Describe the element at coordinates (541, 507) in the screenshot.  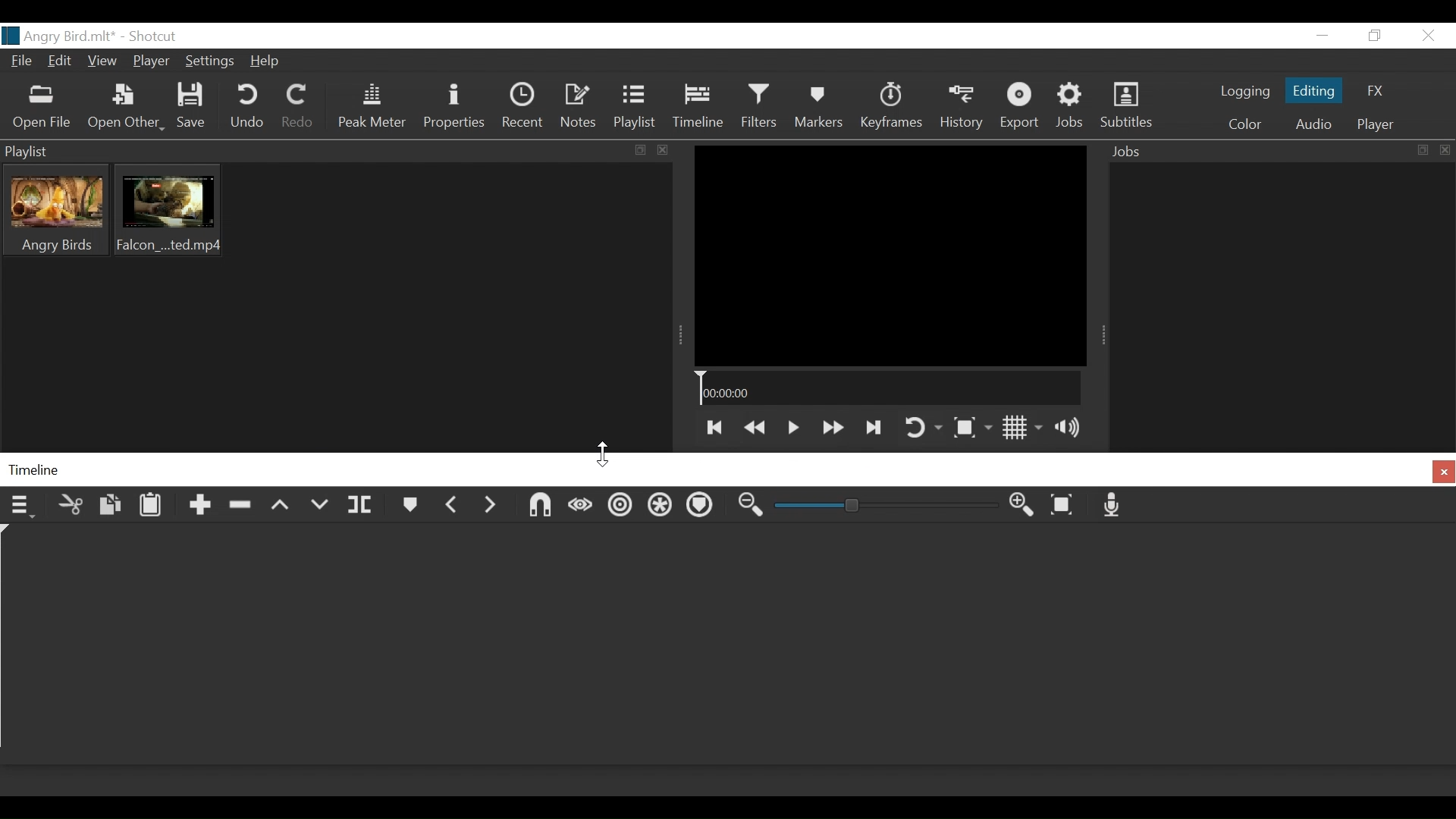
I see `Snap` at that location.